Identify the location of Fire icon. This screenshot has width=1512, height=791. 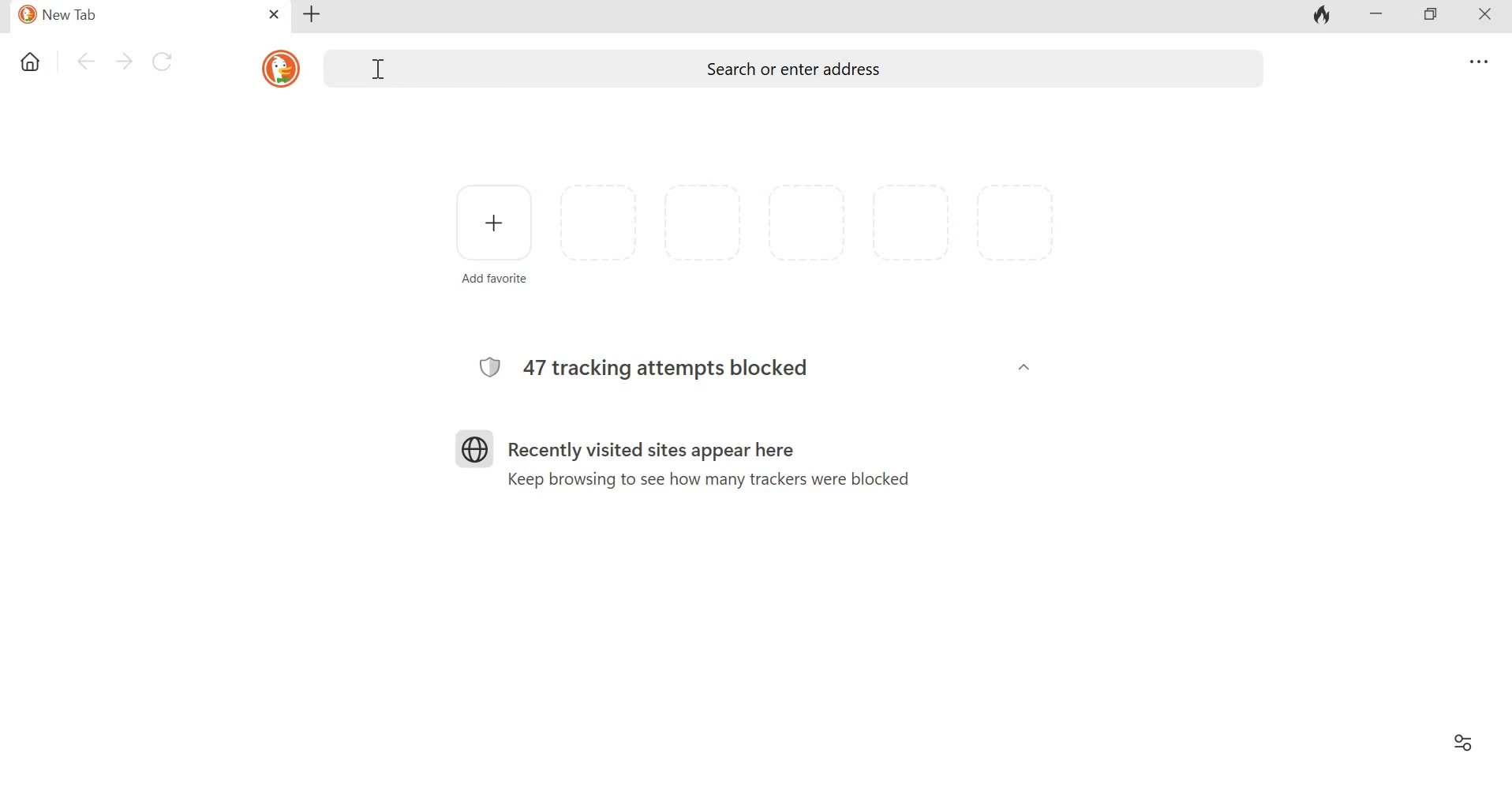
(1323, 17).